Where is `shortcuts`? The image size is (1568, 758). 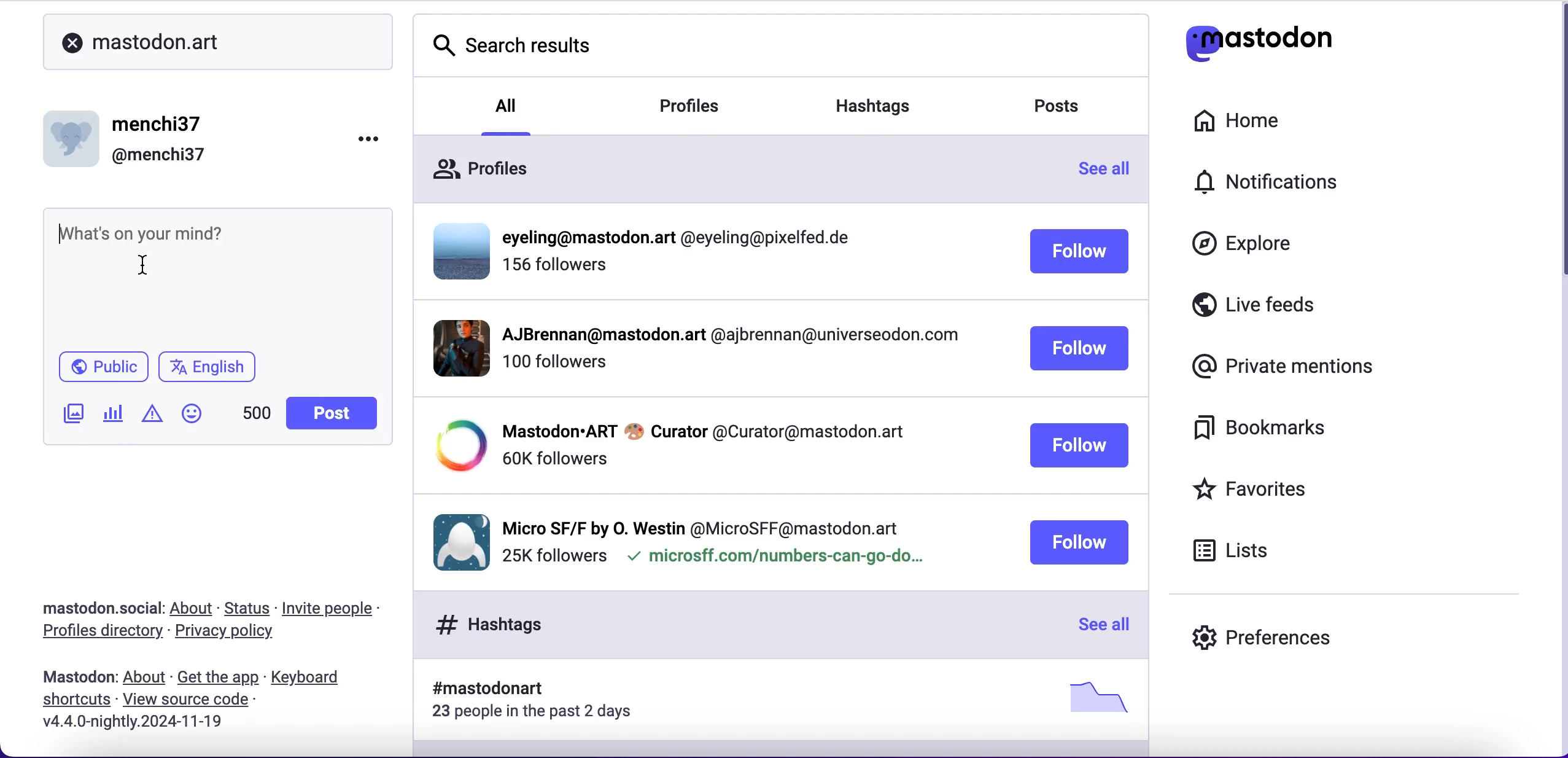 shortcuts is located at coordinates (72, 702).